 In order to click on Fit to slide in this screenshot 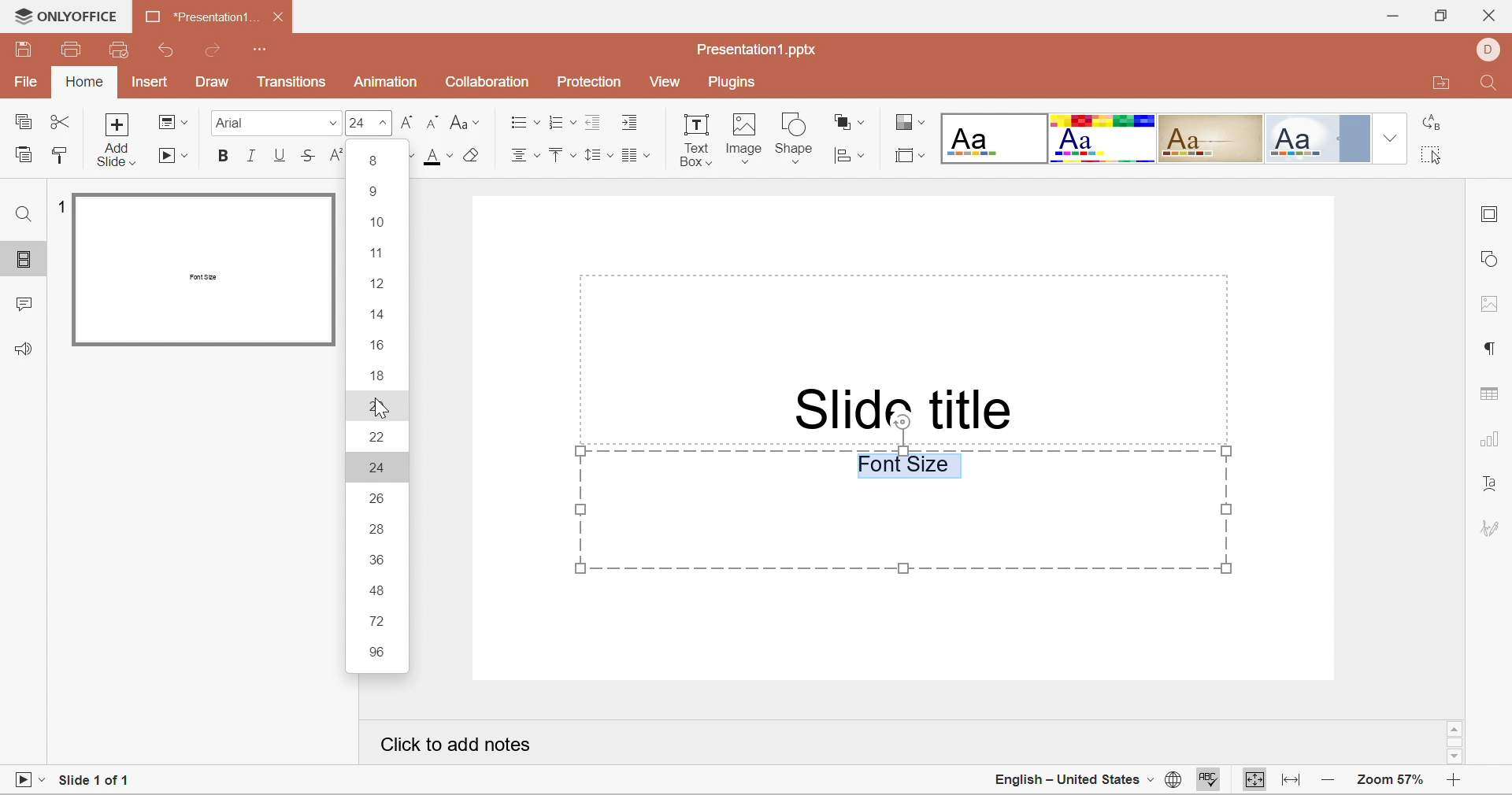, I will do `click(1255, 781)`.